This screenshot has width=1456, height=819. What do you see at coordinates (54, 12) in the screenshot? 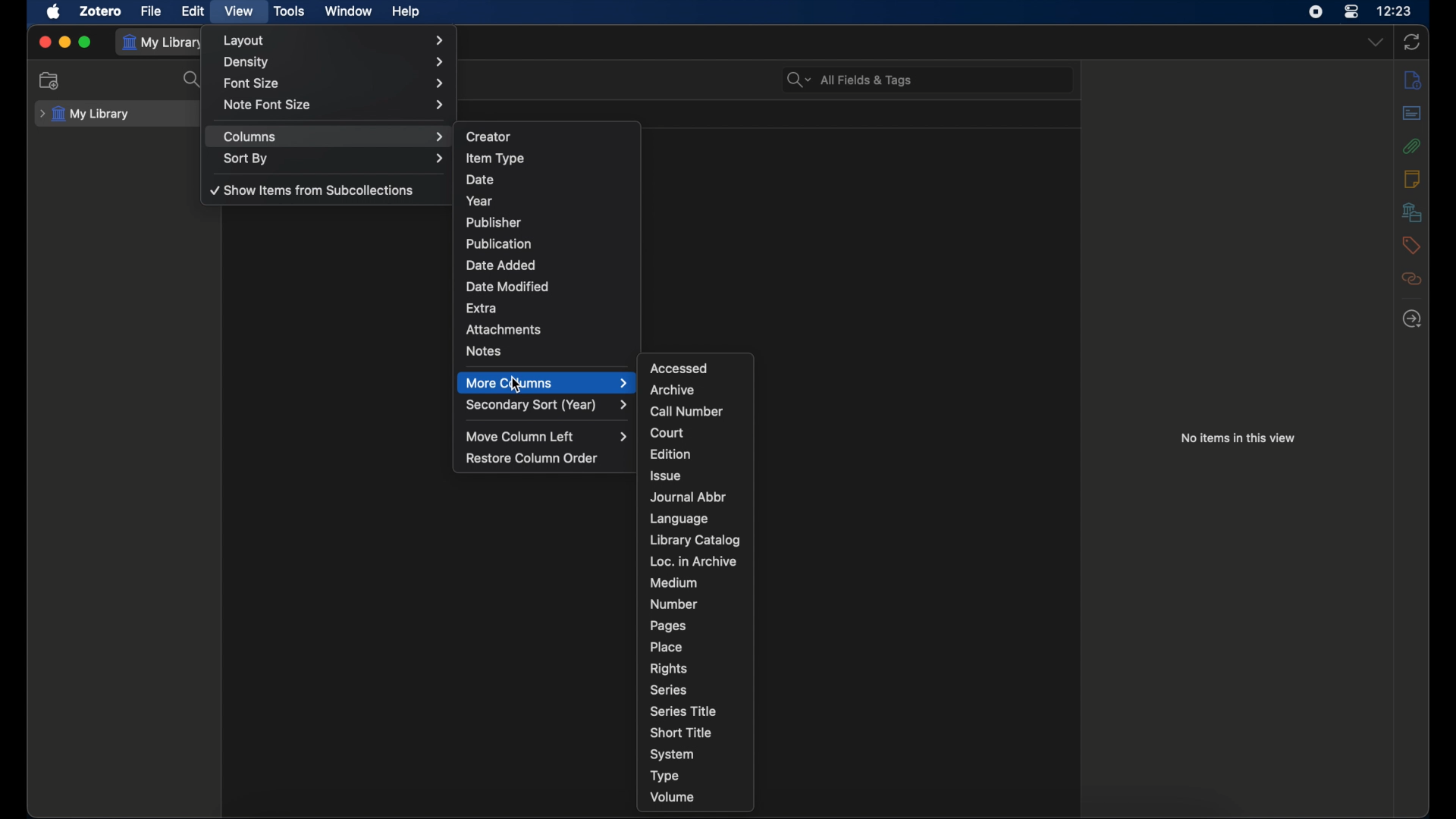
I see `apple` at bounding box center [54, 12].